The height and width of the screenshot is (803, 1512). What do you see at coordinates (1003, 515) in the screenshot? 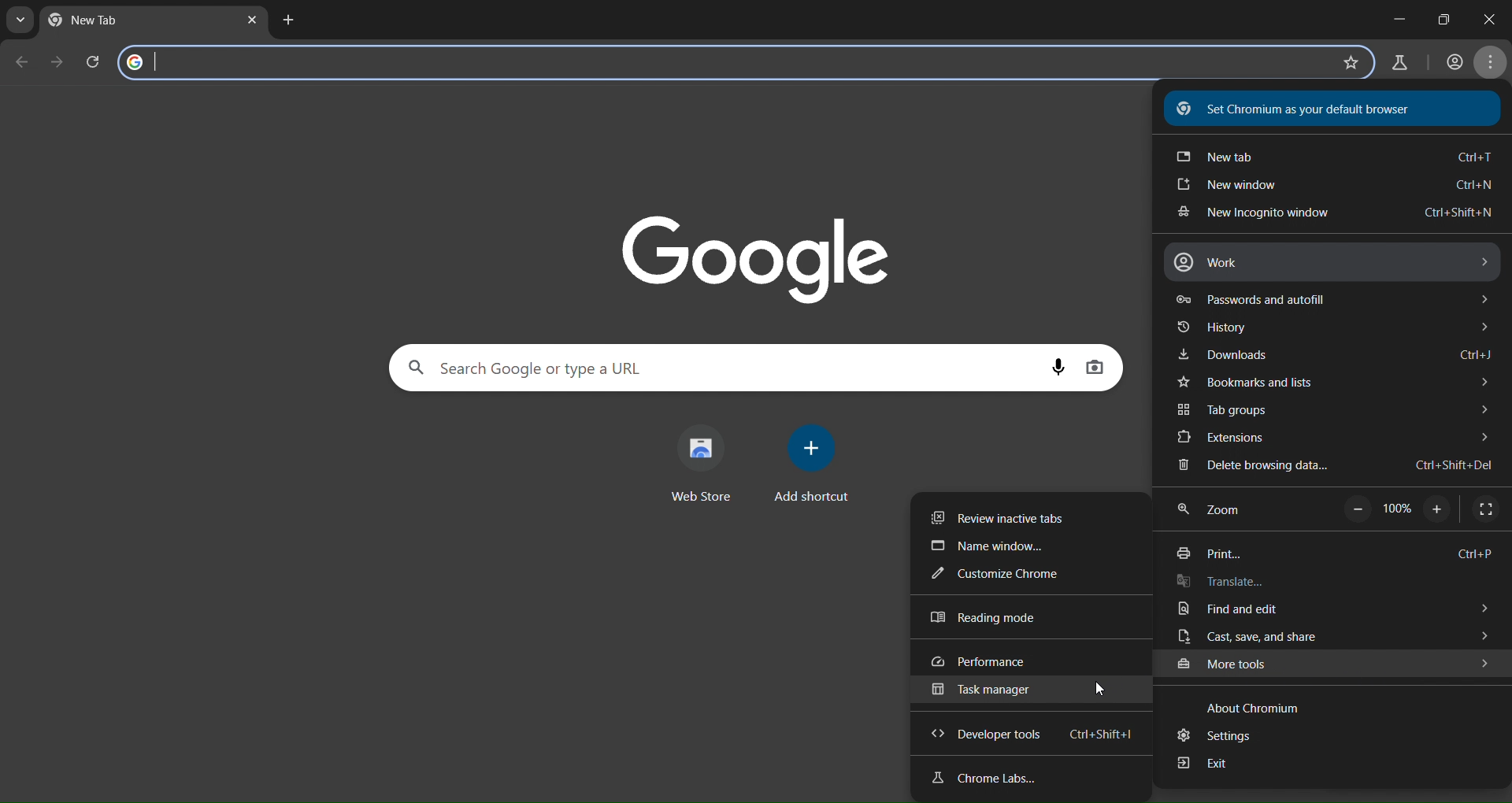
I see `review inactive tabs` at bounding box center [1003, 515].